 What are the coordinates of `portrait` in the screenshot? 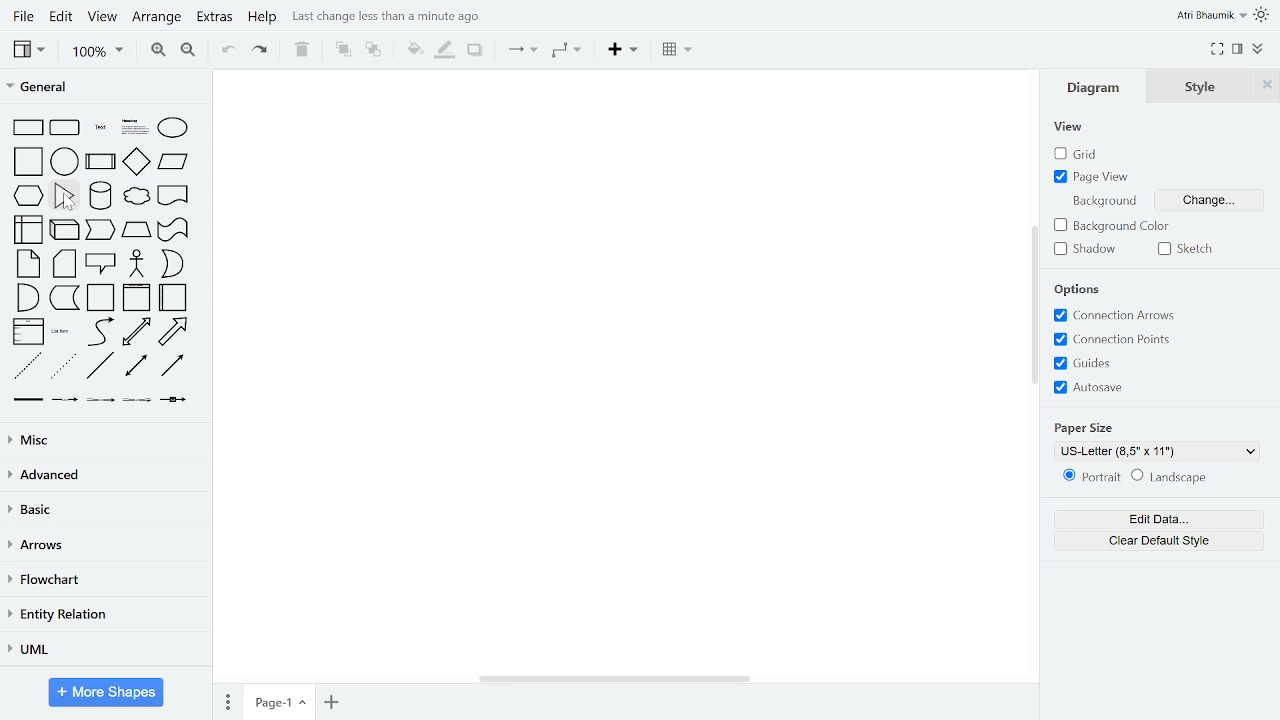 It's located at (1088, 476).